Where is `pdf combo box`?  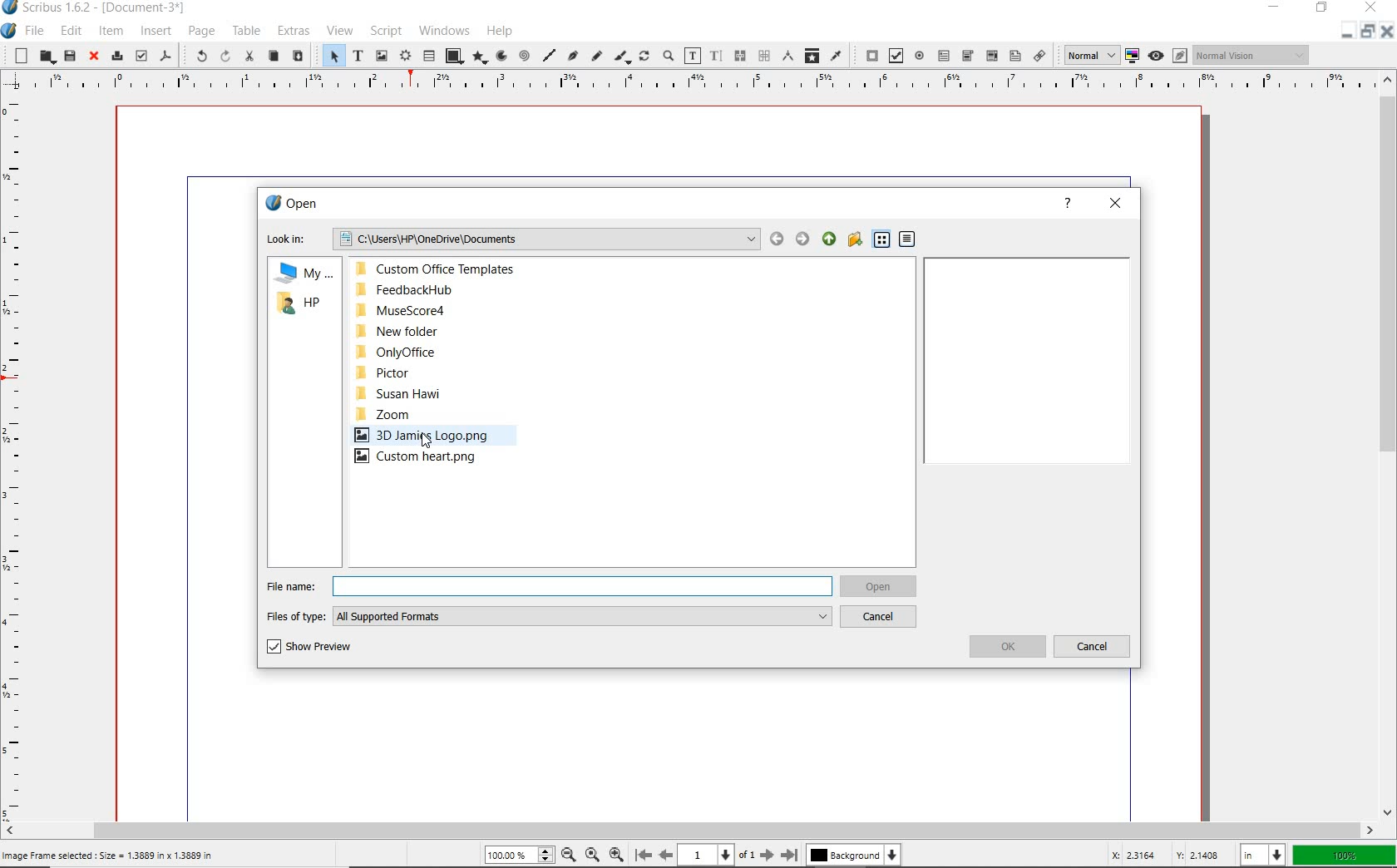 pdf combo box is located at coordinates (990, 56).